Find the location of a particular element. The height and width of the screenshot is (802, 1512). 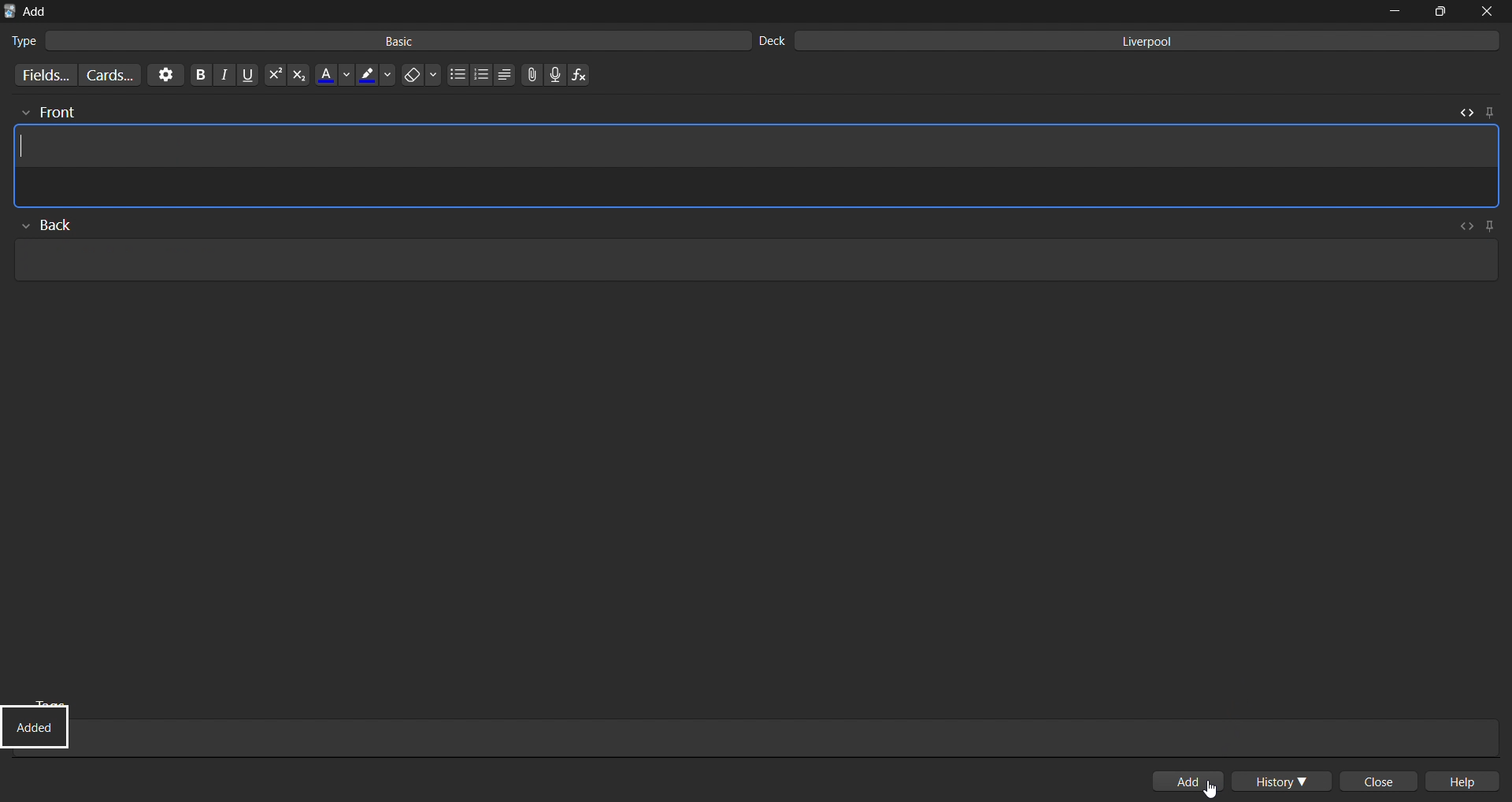

italic is located at coordinates (223, 76).